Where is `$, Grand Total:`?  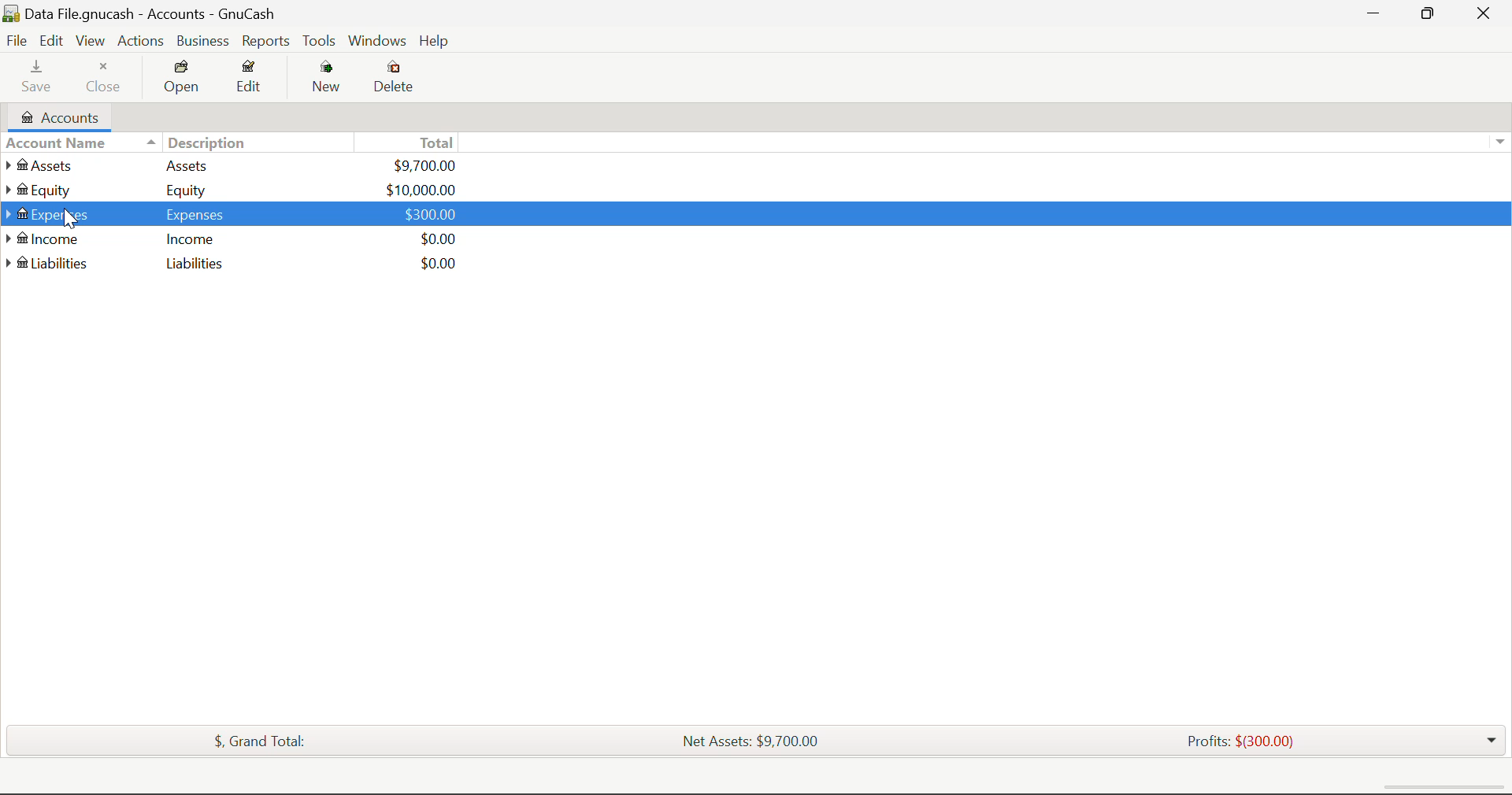
$, Grand Total: is located at coordinates (250, 742).